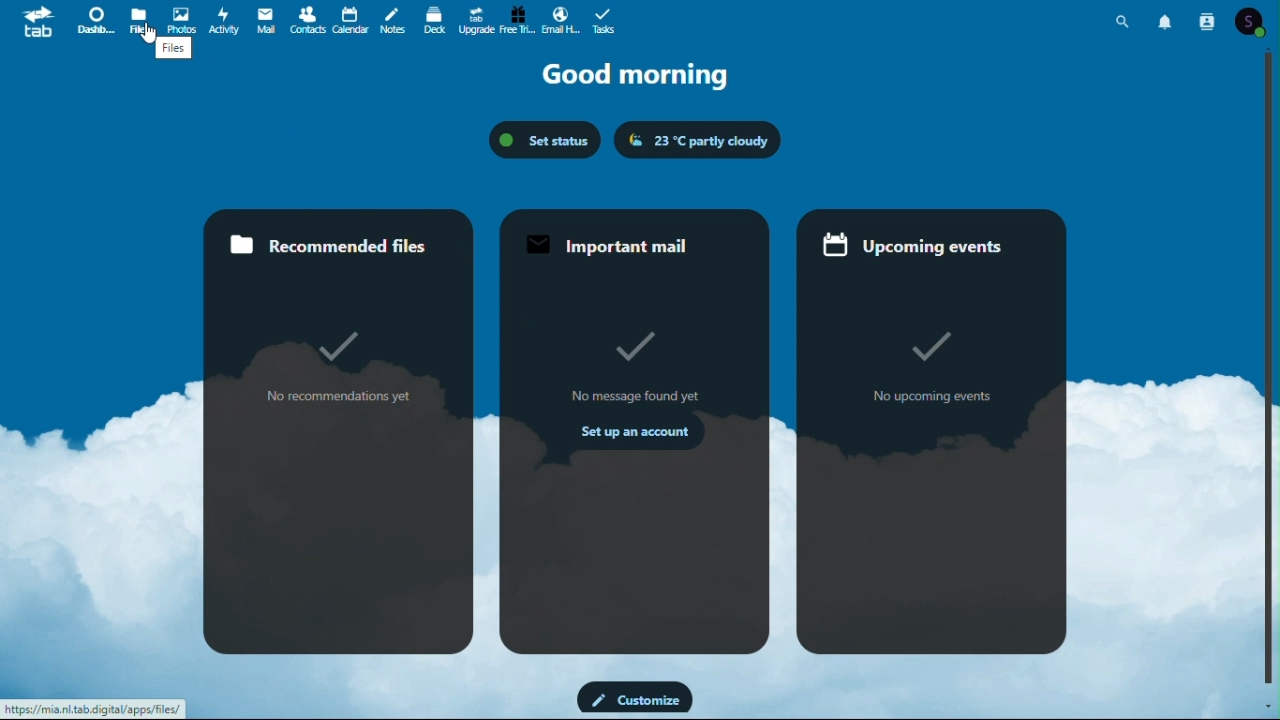  What do you see at coordinates (94, 708) in the screenshot?
I see `URL` at bounding box center [94, 708].